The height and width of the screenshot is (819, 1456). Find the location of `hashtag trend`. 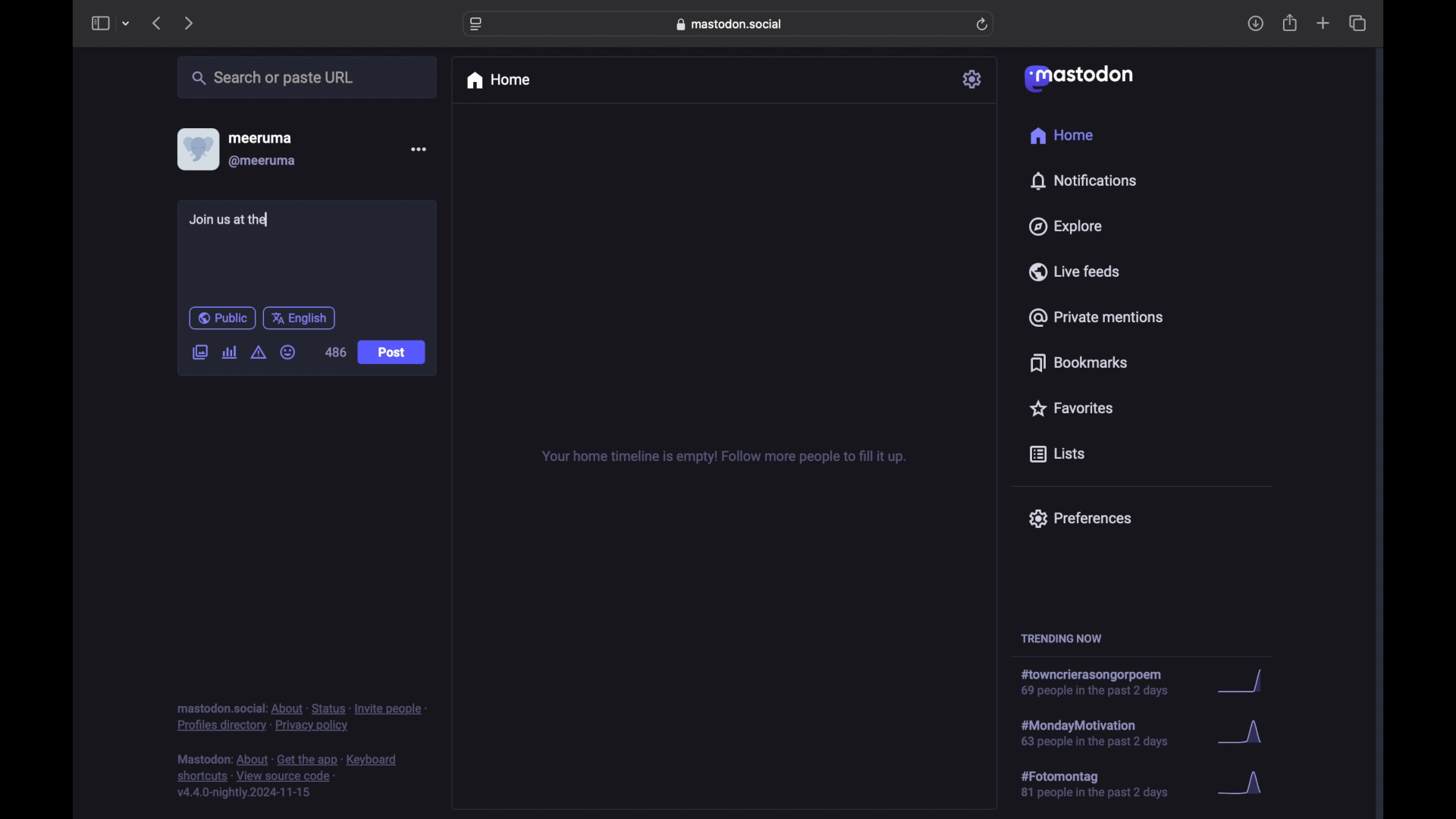

hashtag trend is located at coordinates (1105, 785).